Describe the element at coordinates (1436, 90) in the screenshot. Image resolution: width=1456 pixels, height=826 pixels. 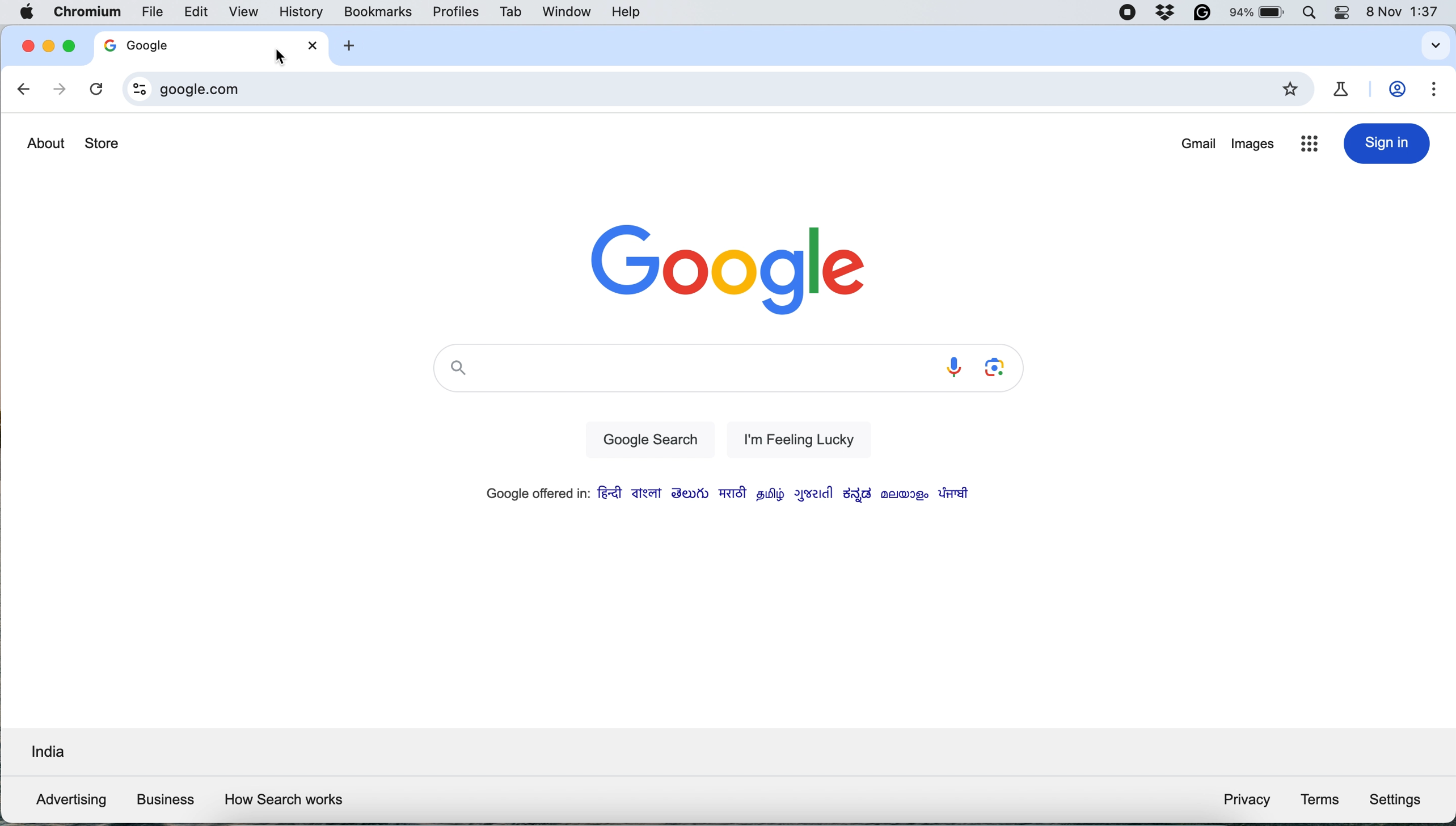
I see `settings` at that location.